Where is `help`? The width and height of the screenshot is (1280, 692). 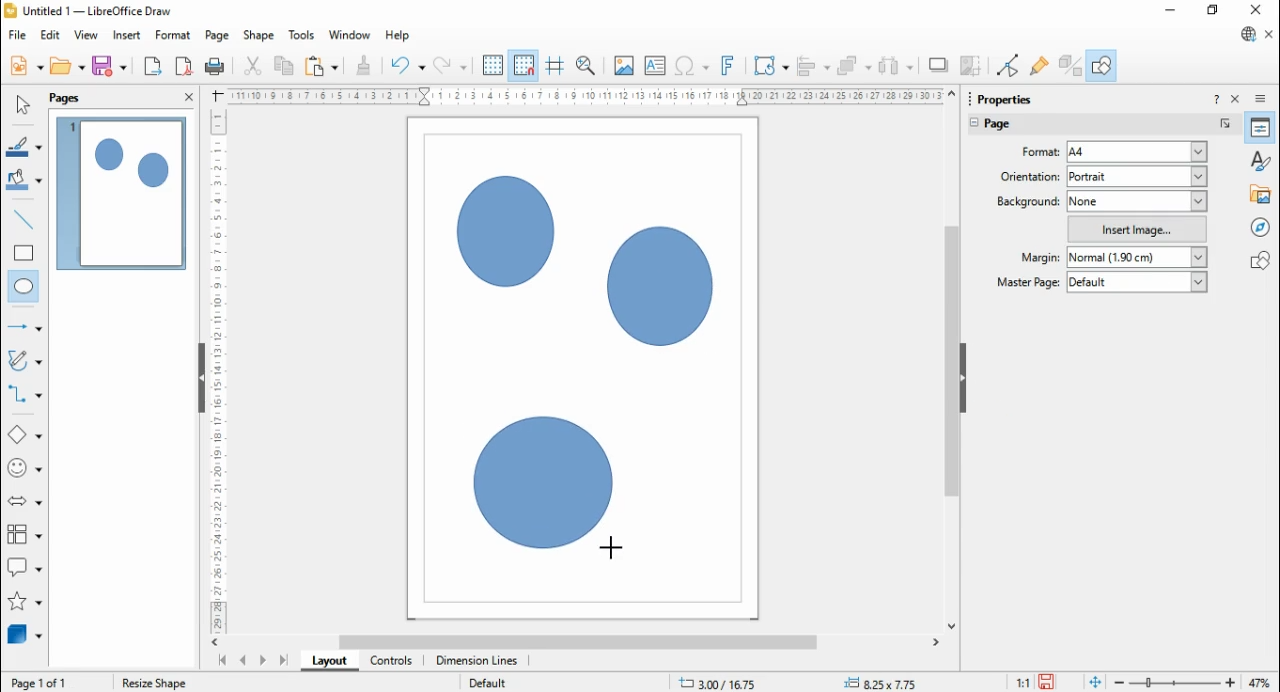 help is located at coordinates (398, 36).